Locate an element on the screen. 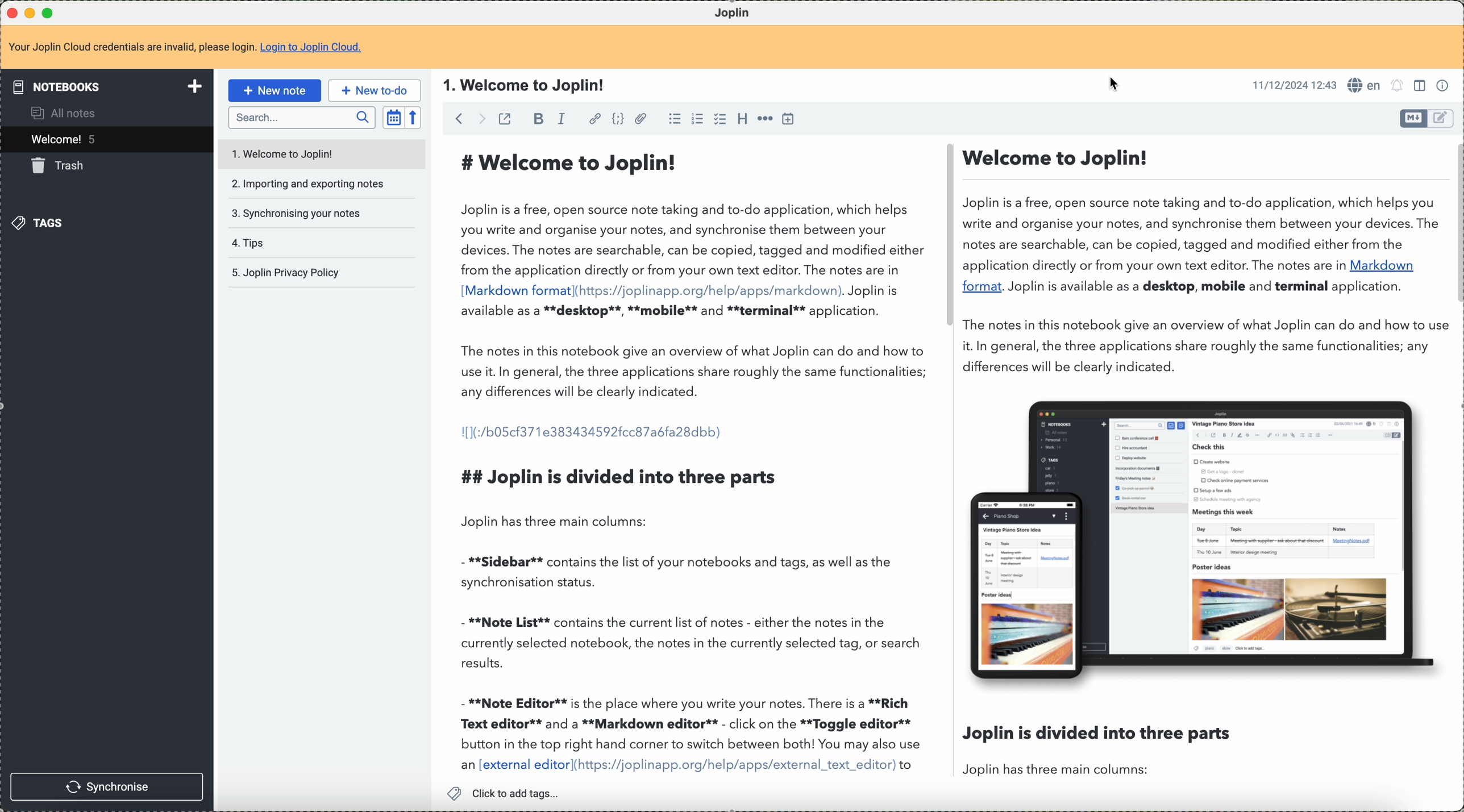 This screenshot has width=1464, height=812. synchronising your notes is located at coordinates (297, 213).